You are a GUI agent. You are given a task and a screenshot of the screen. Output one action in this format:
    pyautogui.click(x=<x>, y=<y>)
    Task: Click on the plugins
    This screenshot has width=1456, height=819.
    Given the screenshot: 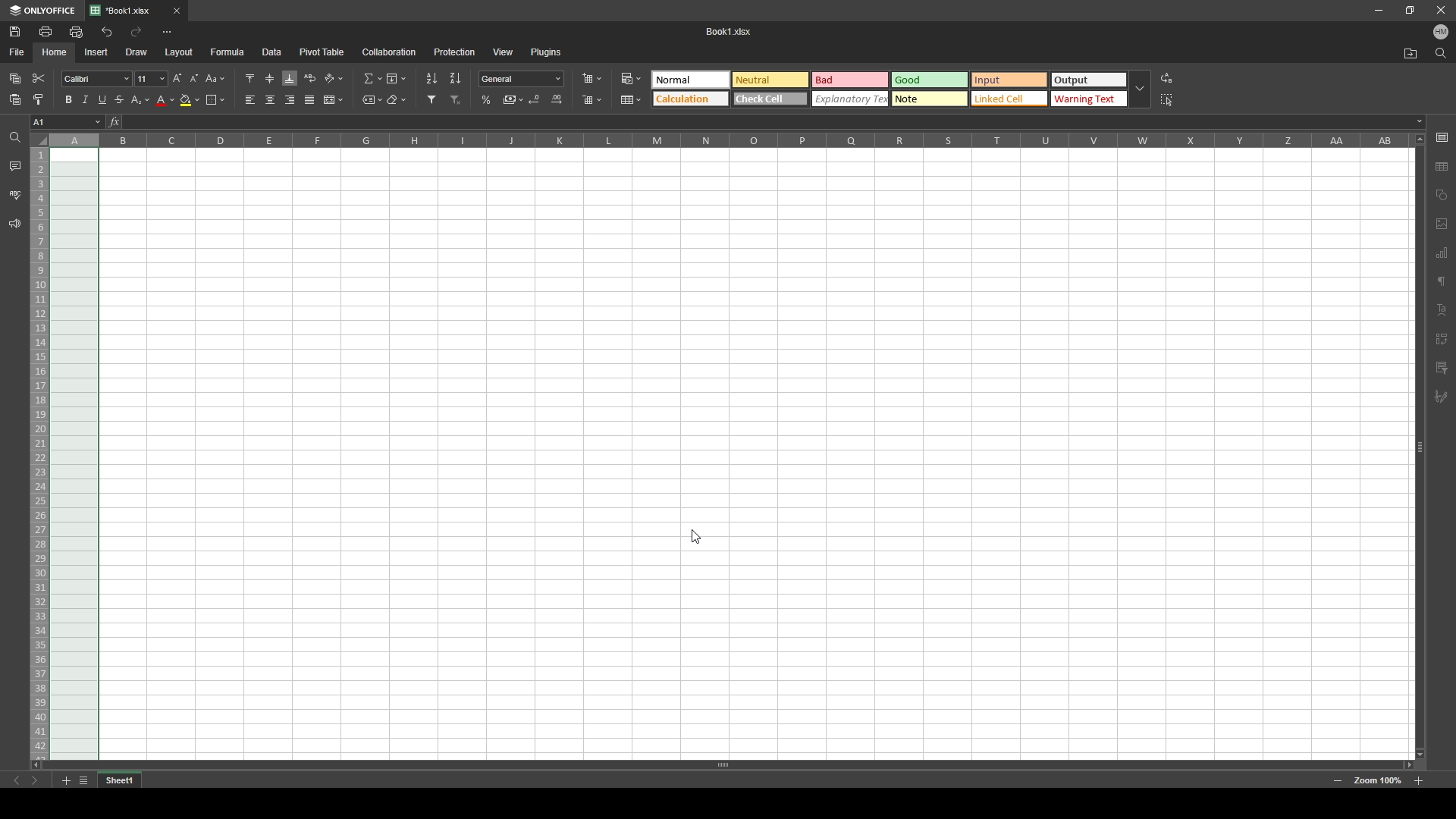 What is the action you would take?
    pyautogui.click(x=548, y=51)
    